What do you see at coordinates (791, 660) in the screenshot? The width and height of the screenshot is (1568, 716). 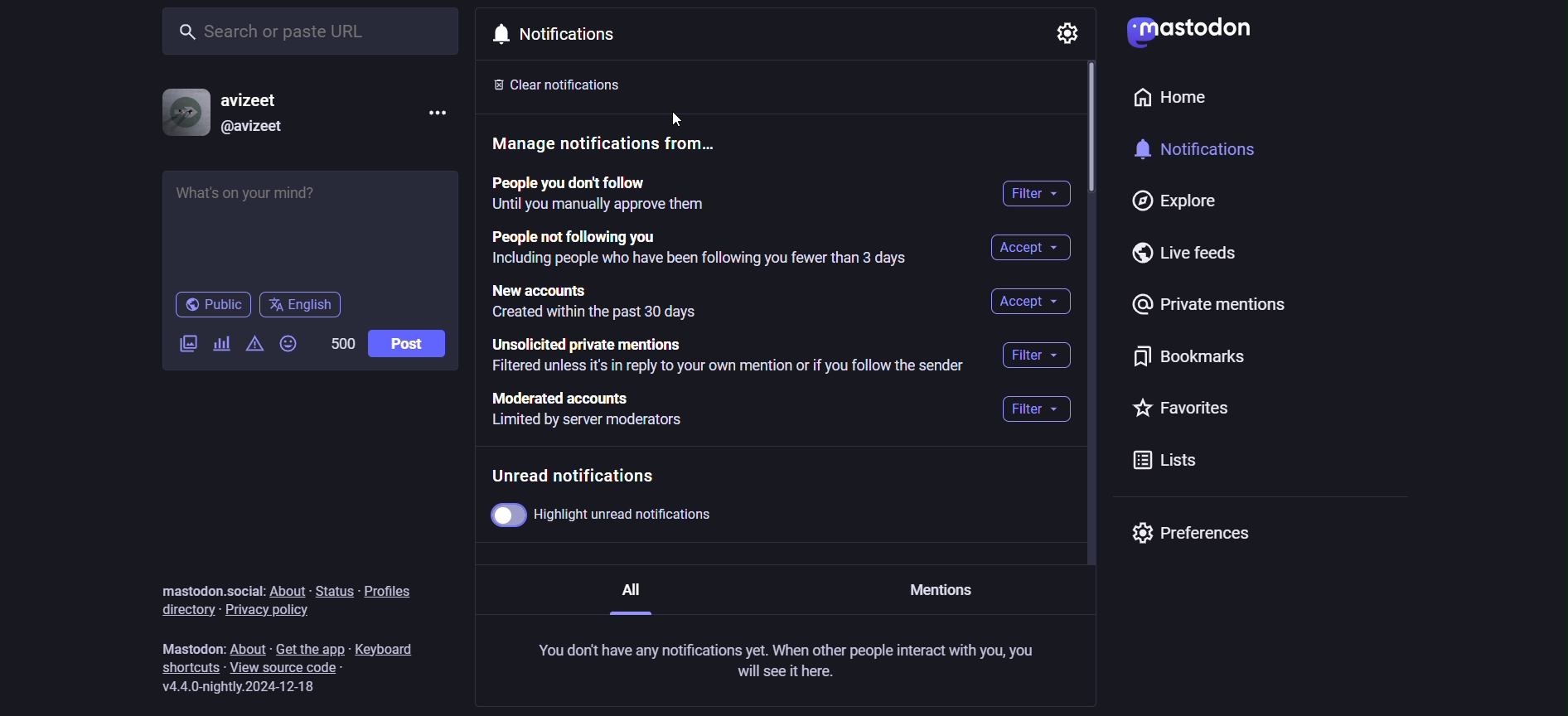 I see `notification text` at bounding box center [791, 660].